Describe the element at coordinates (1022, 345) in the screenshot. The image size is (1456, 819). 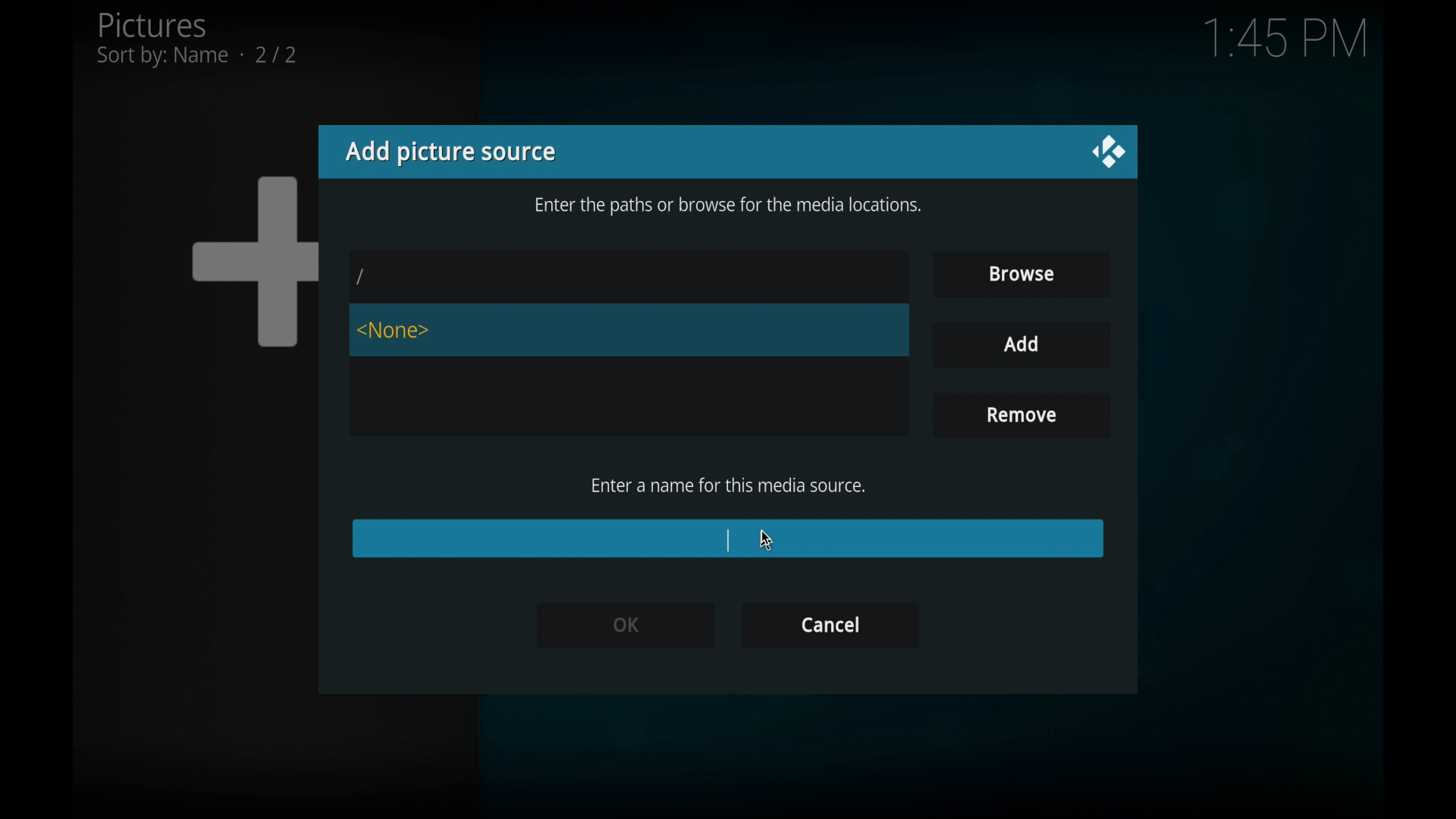
I see `add` at that location.